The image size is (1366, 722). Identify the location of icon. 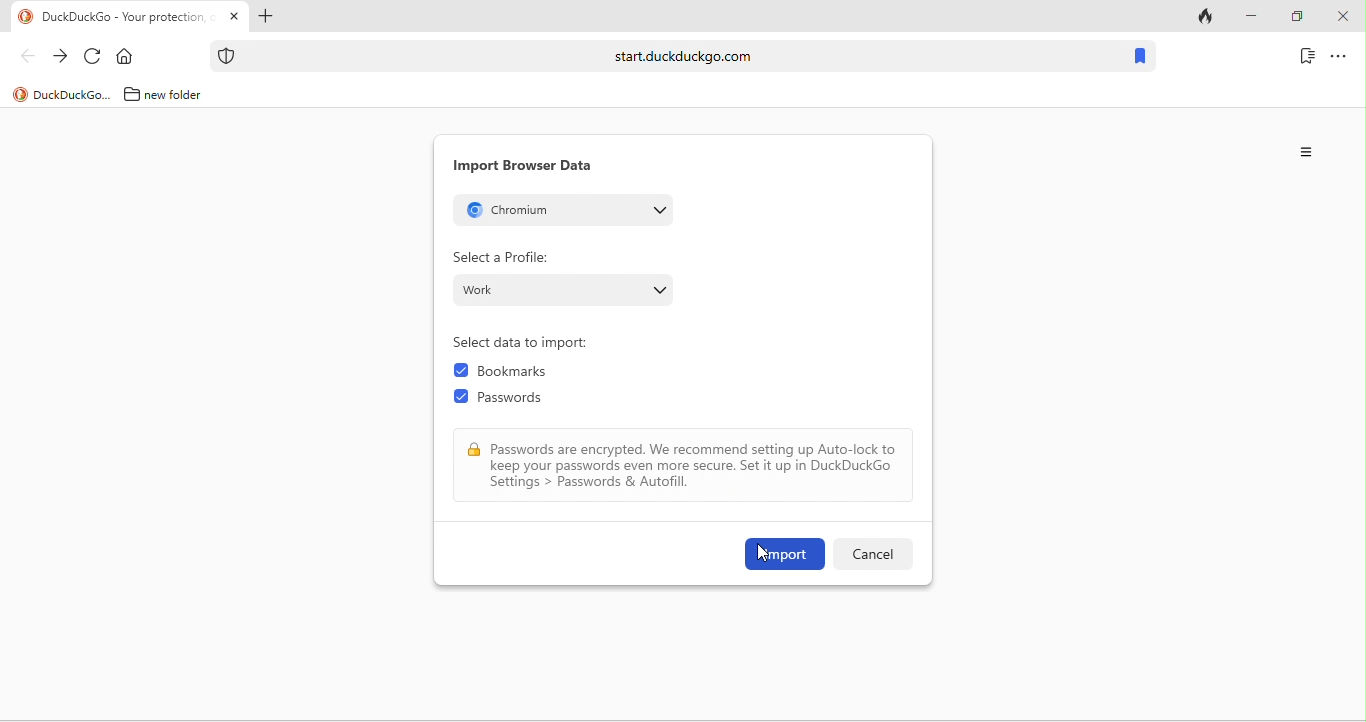
(26, 17).